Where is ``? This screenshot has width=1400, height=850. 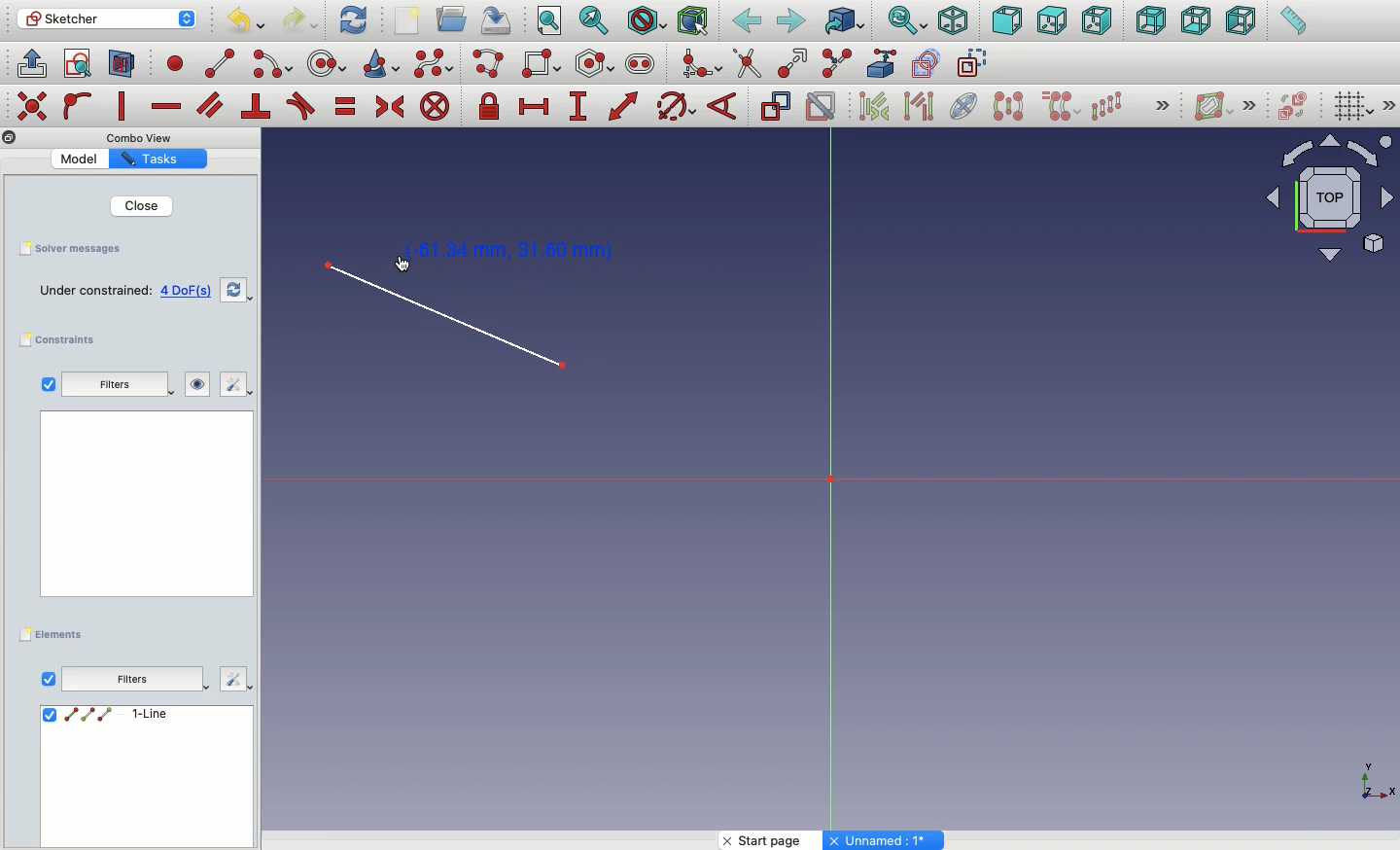
 is located at coordinates (9, 138).